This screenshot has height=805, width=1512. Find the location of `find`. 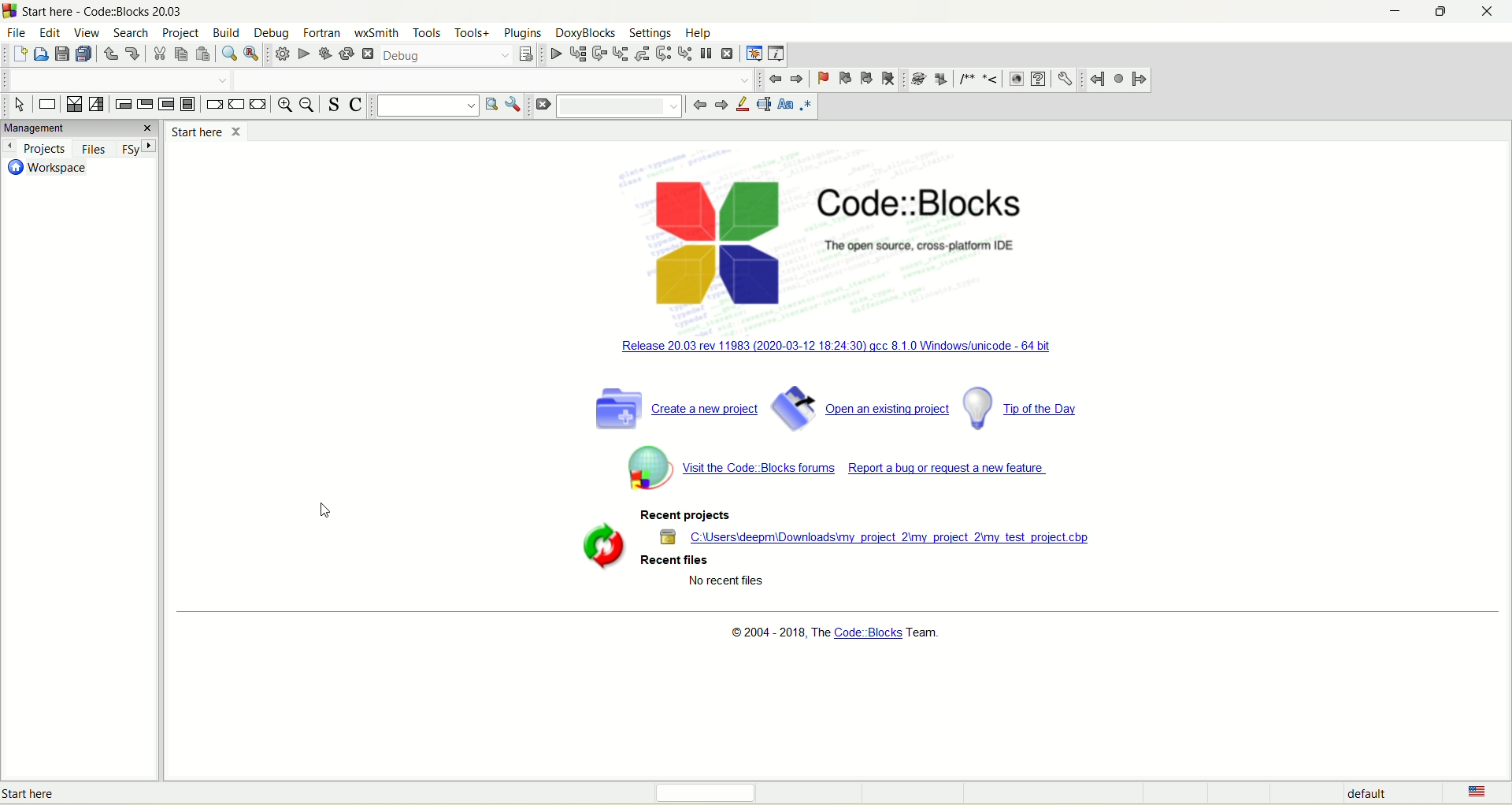

find is located at coordinates (229, 54).